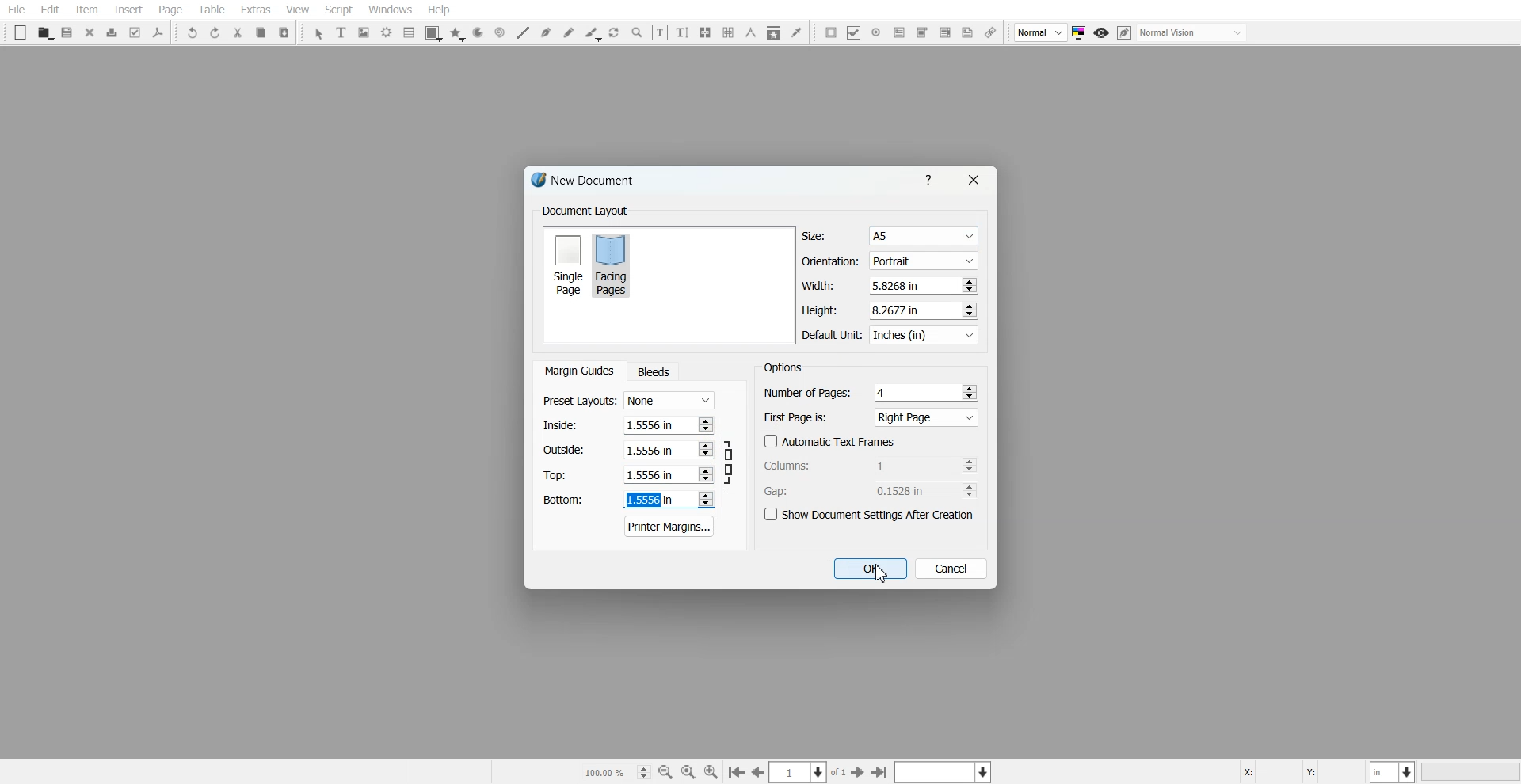 This screenshot has width=1521, height=784. What do you see at coordinates (922, 237) in the screenshot?
I see `A5` at bounding box center [922, 237].